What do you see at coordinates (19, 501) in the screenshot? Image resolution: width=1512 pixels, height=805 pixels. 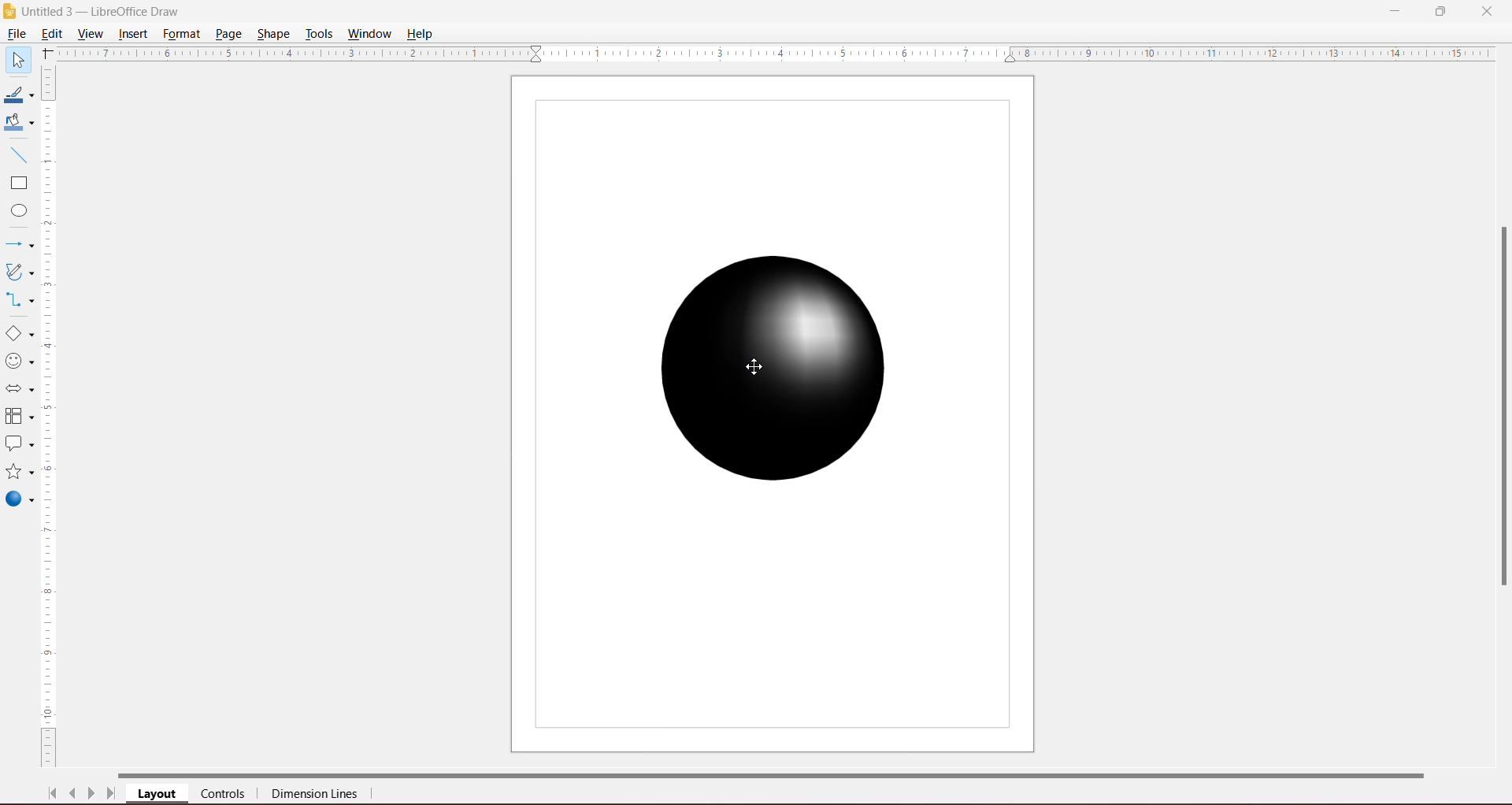 I see `3D objects` at bounding box center [19, 501].